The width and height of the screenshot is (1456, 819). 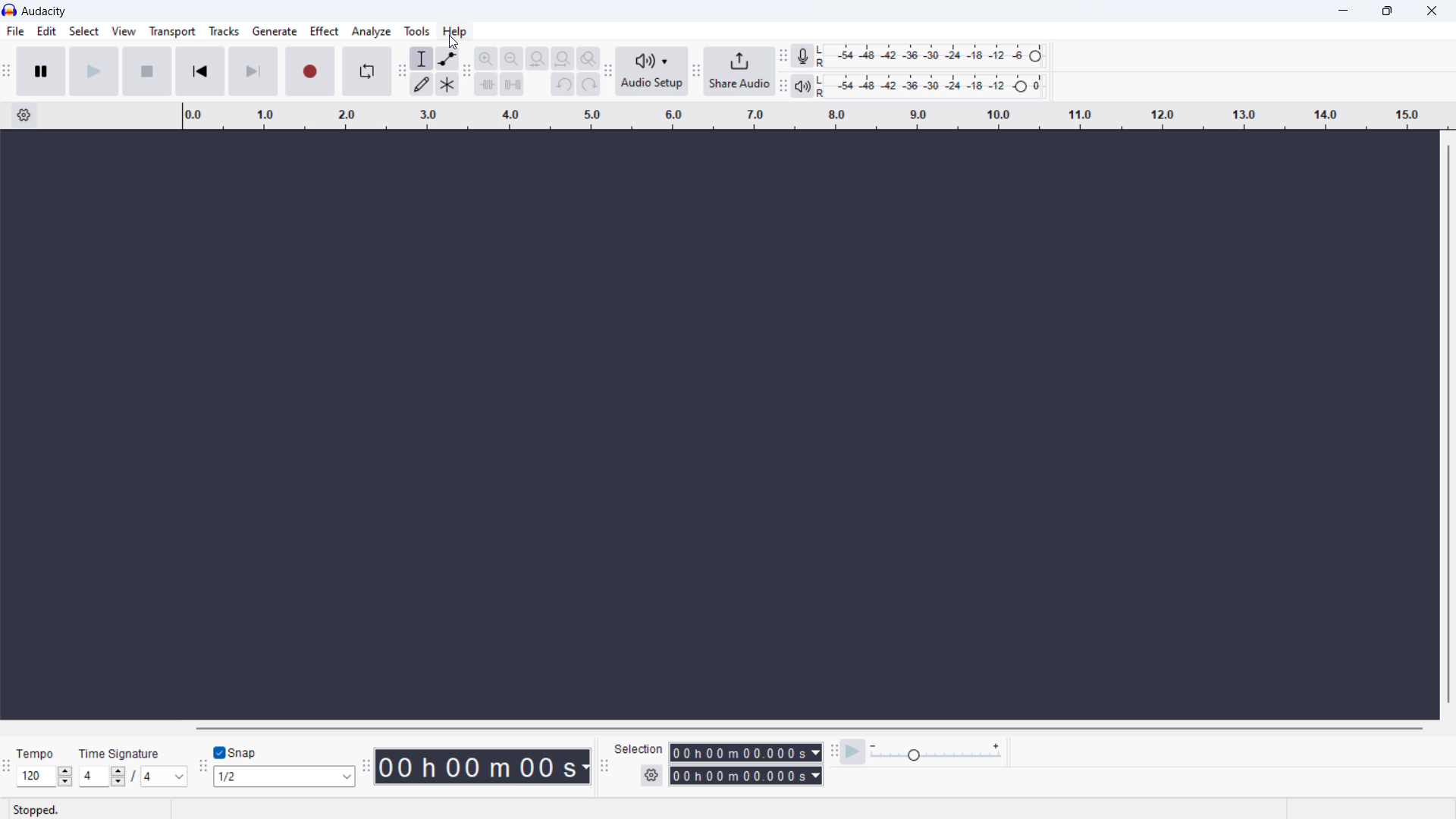 I want to click on time signature toolbar, so click(x=7, y=768).